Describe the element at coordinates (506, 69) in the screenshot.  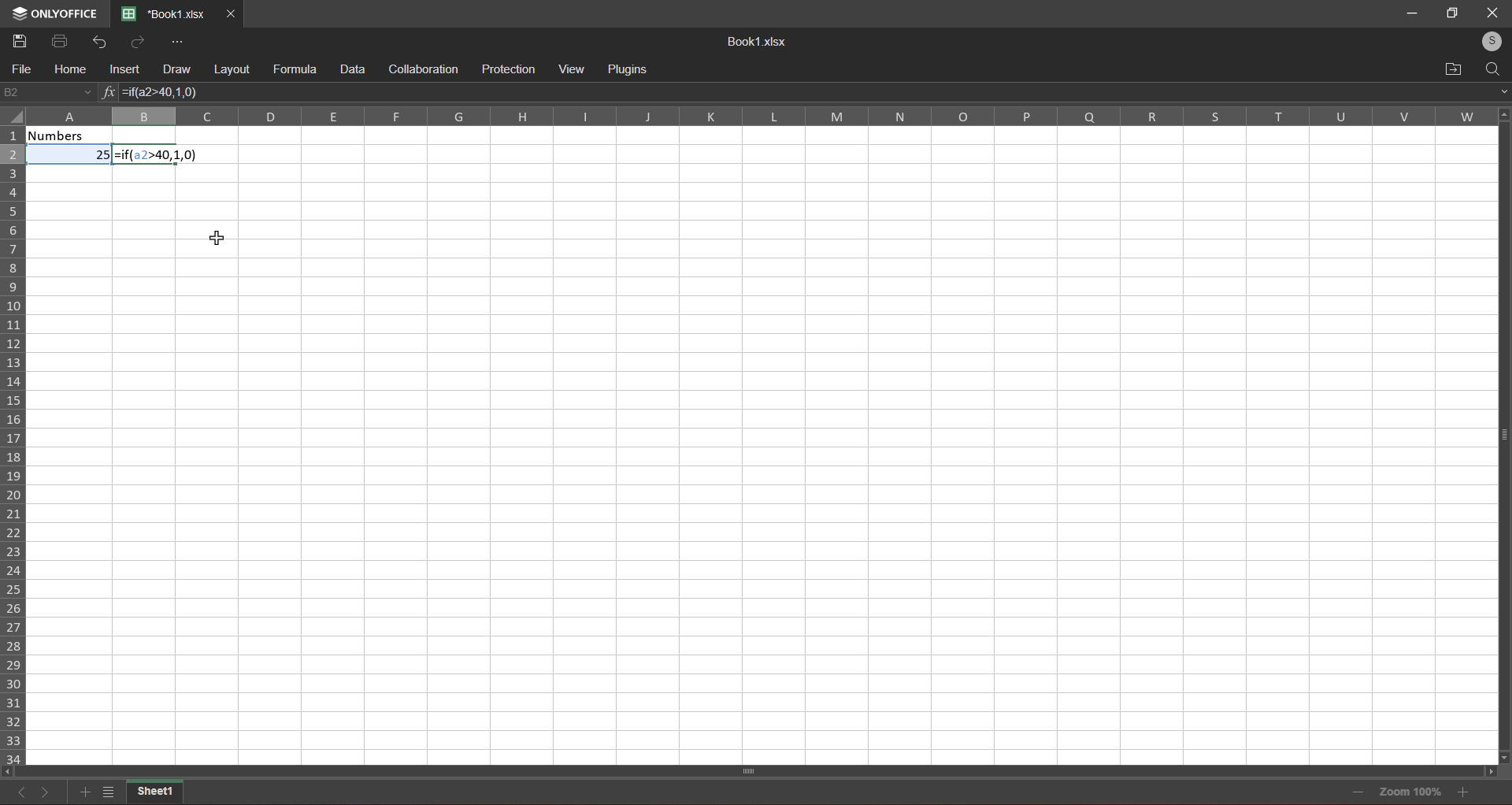
I see `protection` at that location.